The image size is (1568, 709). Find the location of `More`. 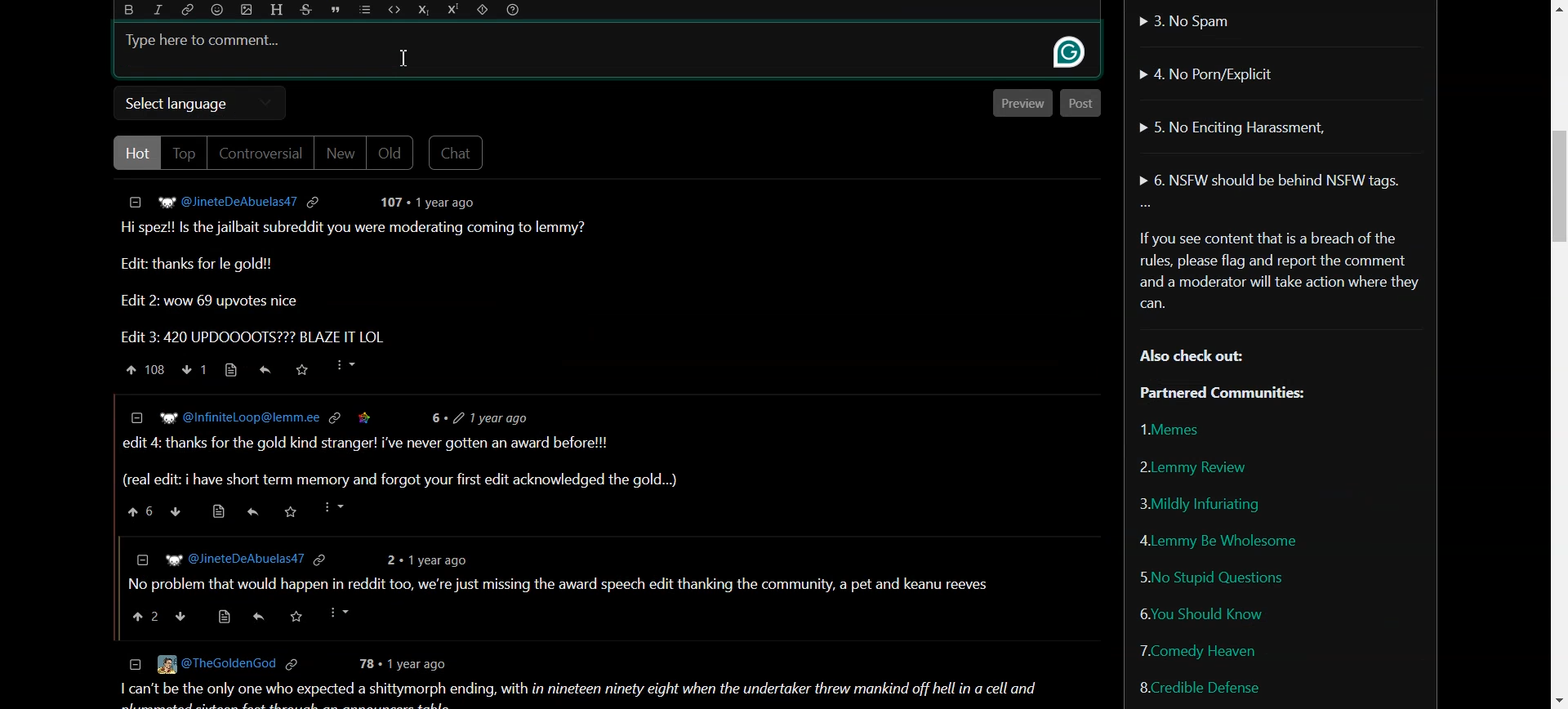

More is located at coordinates (1147, 206).